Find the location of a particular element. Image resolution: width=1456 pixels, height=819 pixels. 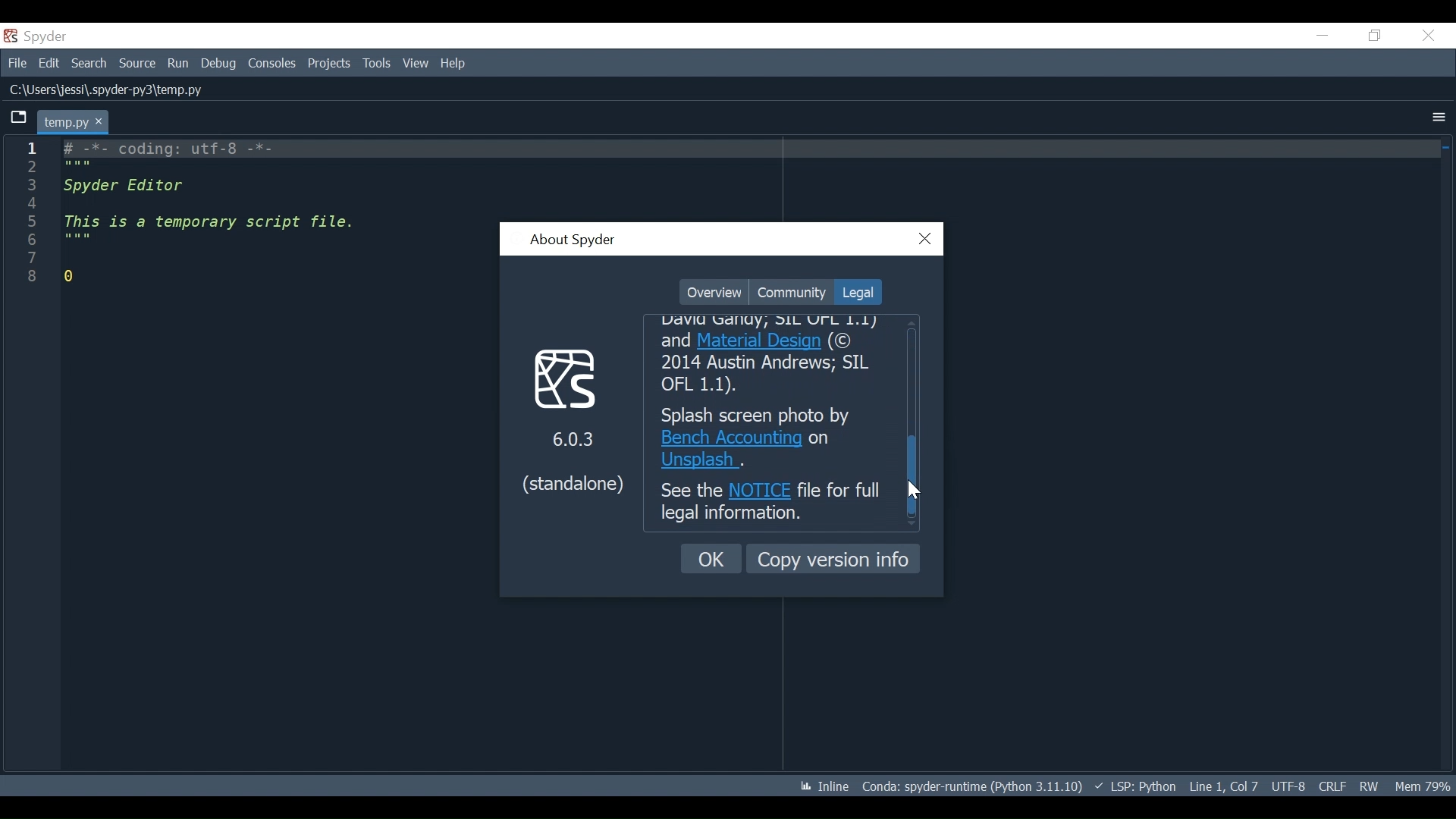

Minimize is located at coordinates (1322, 35).